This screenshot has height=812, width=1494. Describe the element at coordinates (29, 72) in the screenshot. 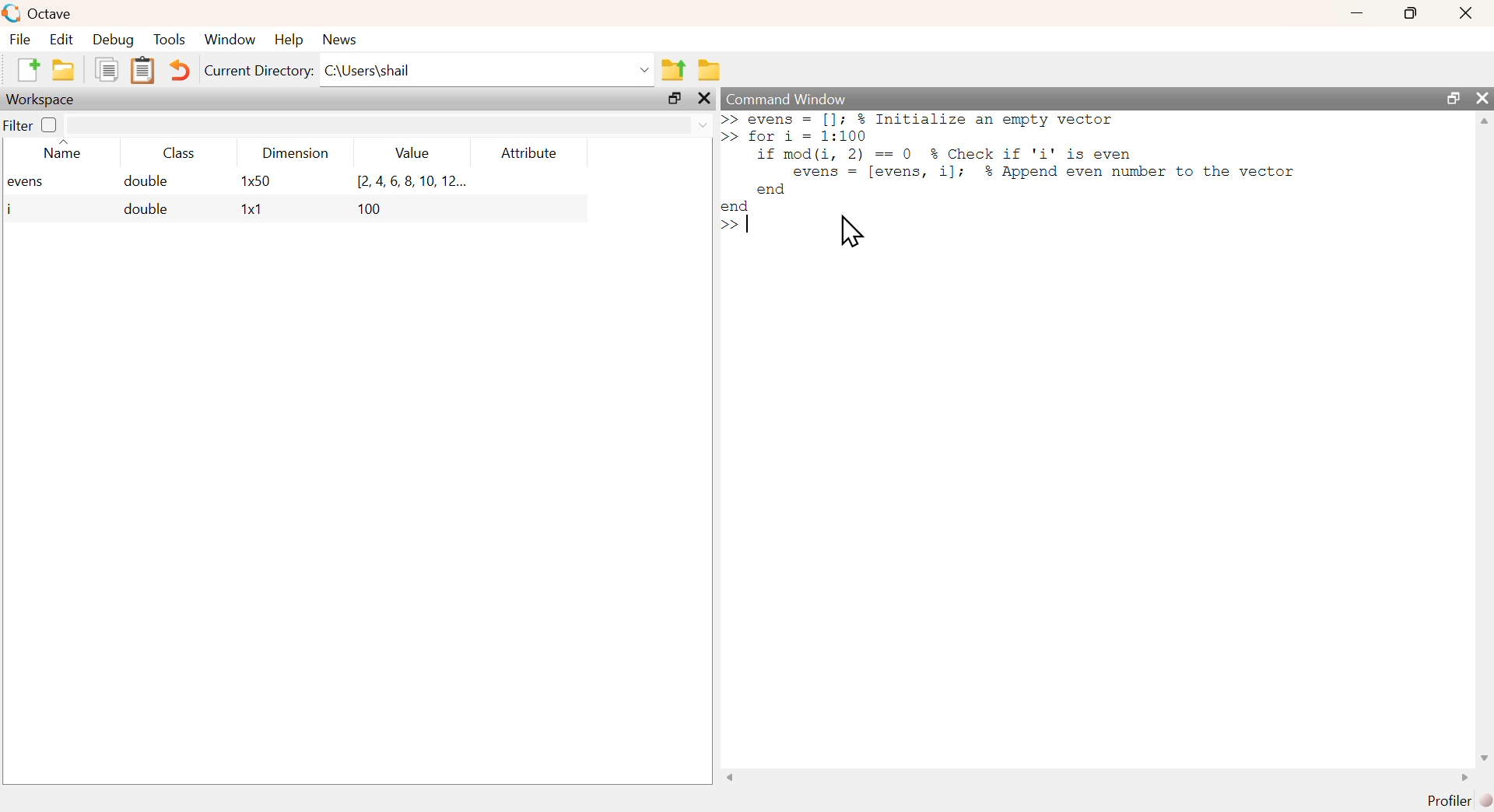

I see `new script` at that location.